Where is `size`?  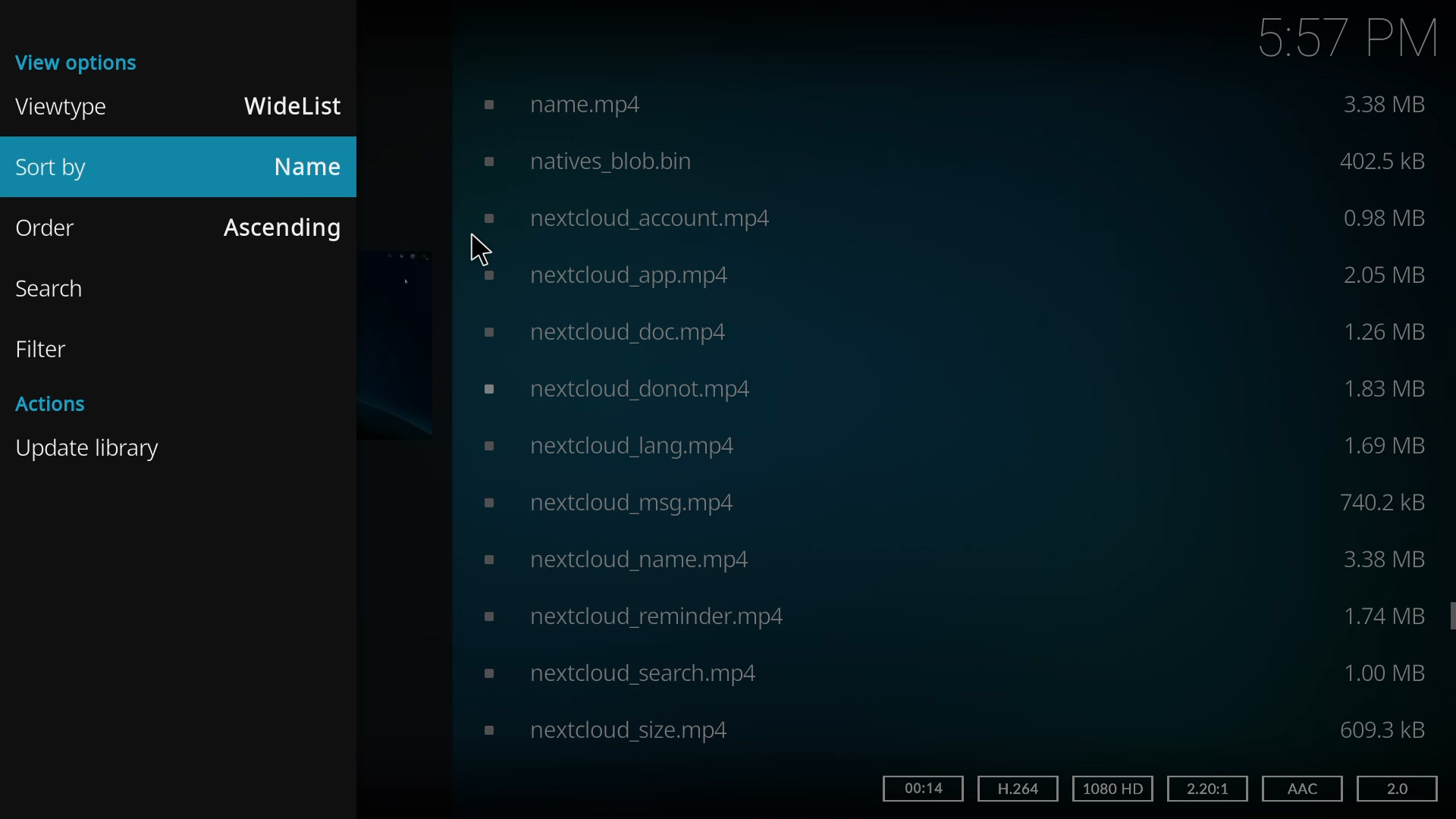 size is located at coordinates (1384, 161).